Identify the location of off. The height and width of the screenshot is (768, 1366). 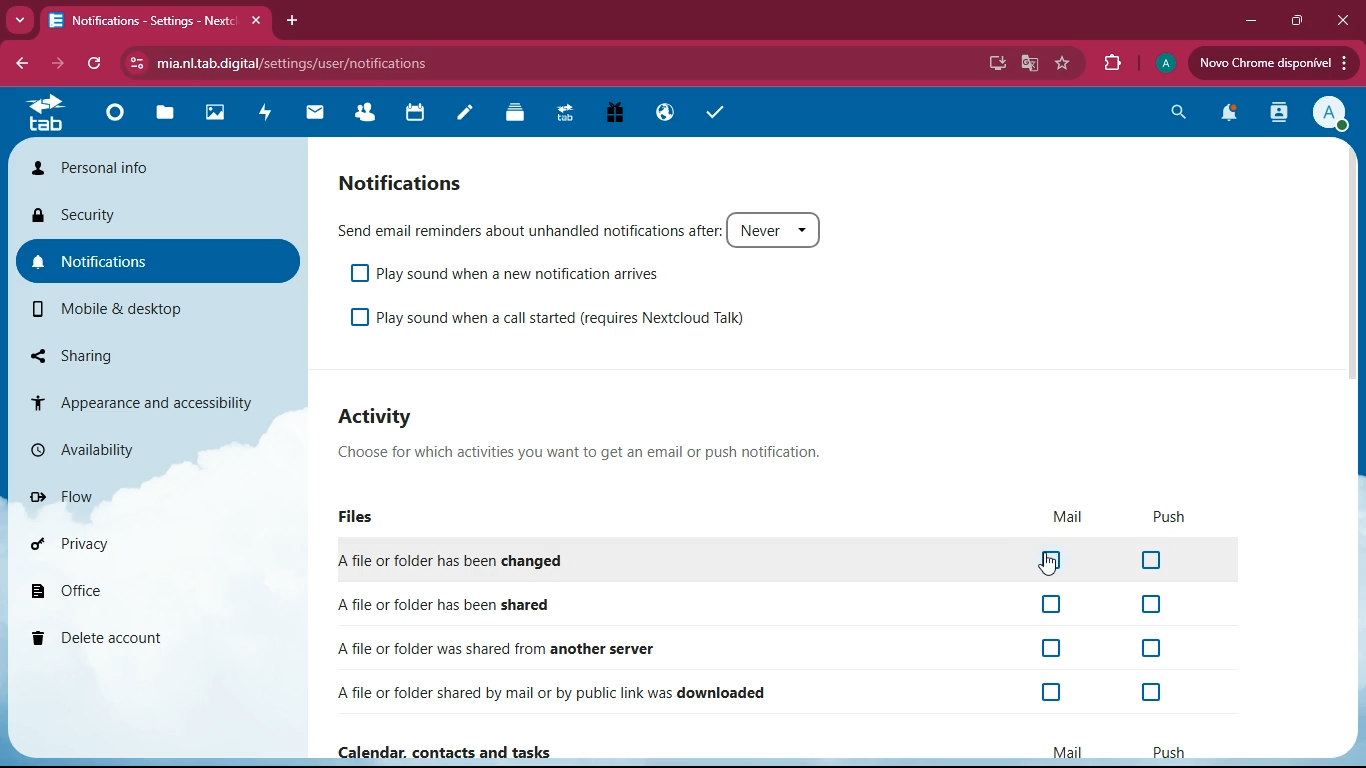
(1054, 606).